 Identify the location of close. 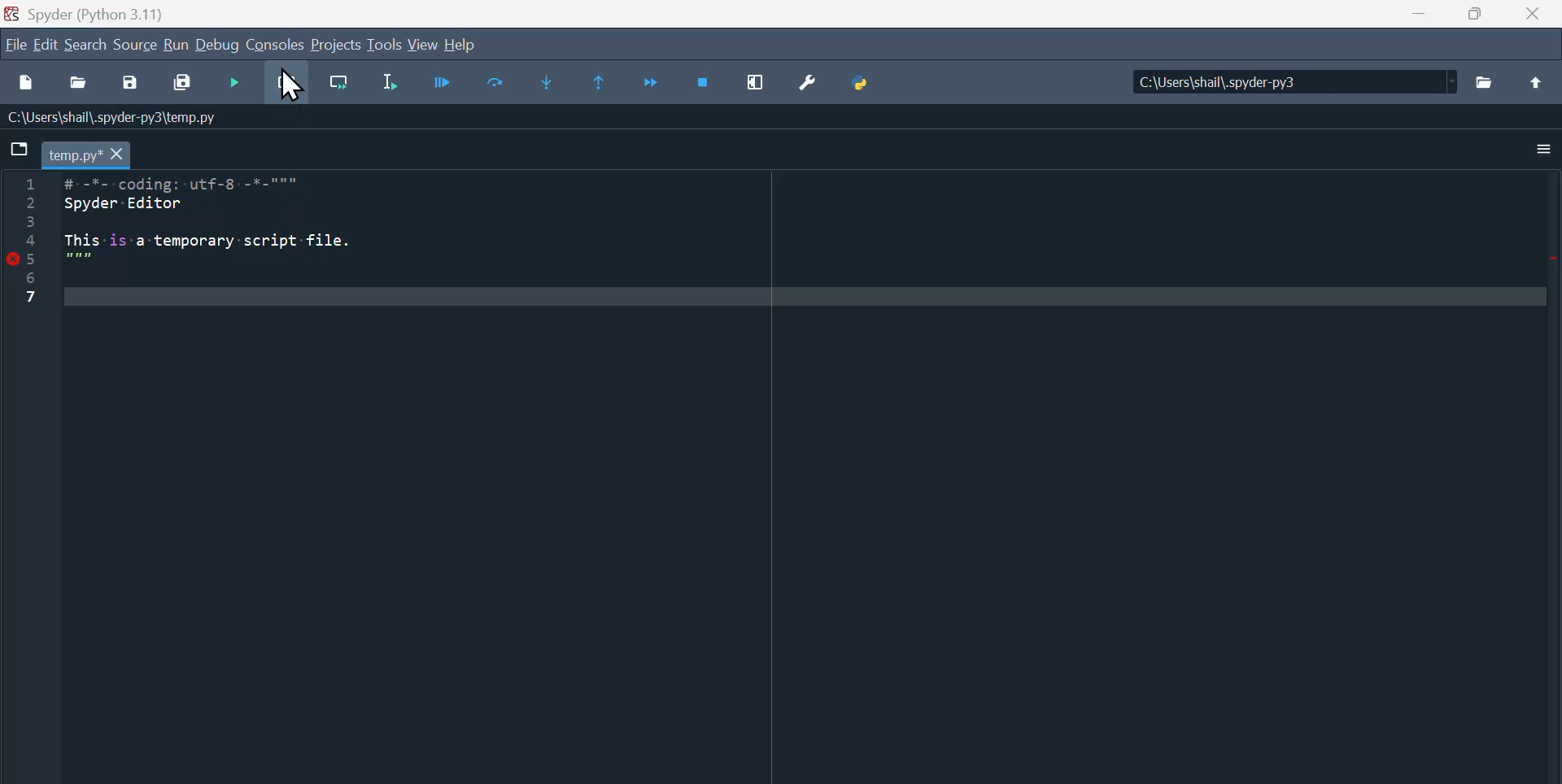
(1537, 15).